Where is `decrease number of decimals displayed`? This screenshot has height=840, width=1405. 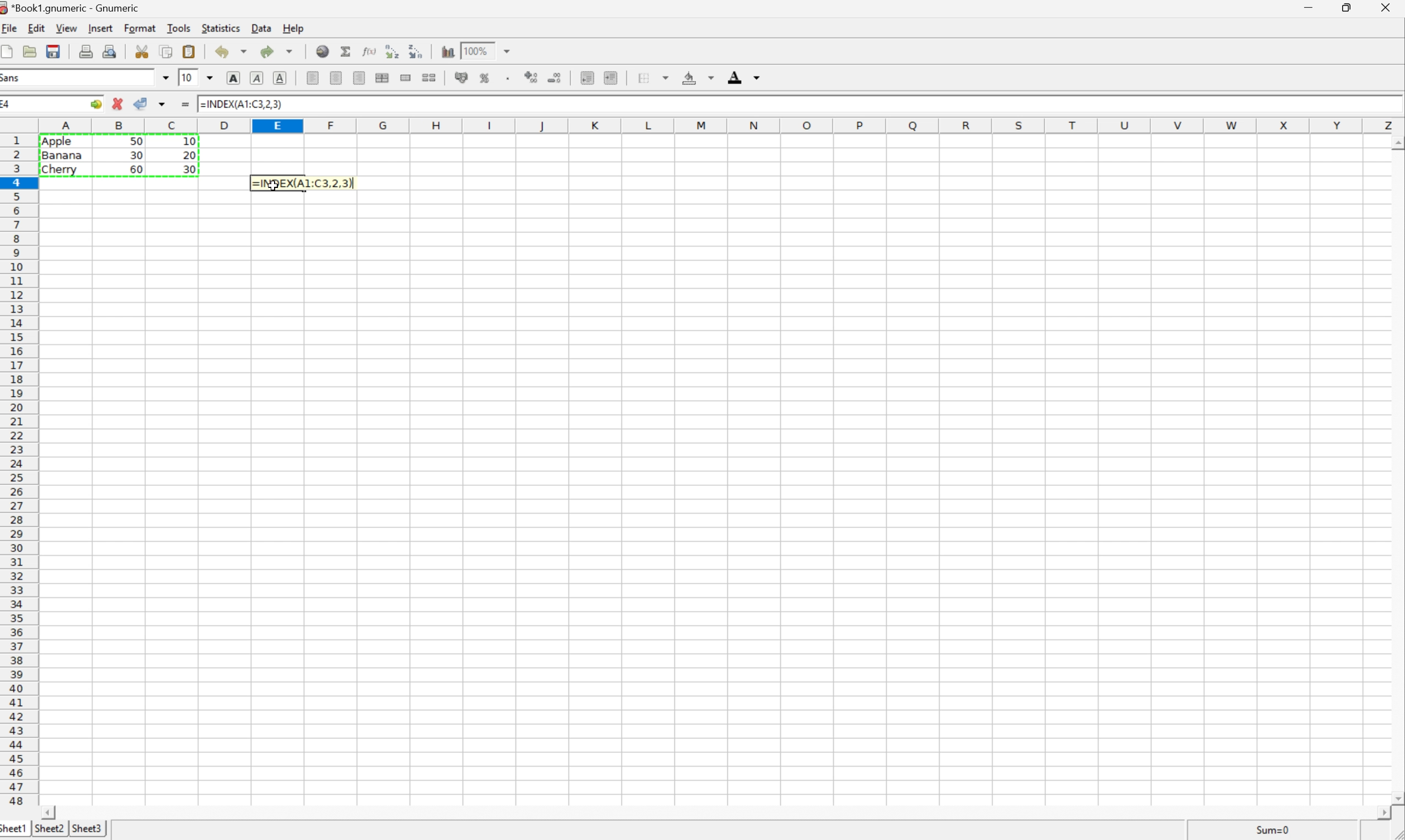
decrease number of decimals displayed is located at coordinates (554, 77).